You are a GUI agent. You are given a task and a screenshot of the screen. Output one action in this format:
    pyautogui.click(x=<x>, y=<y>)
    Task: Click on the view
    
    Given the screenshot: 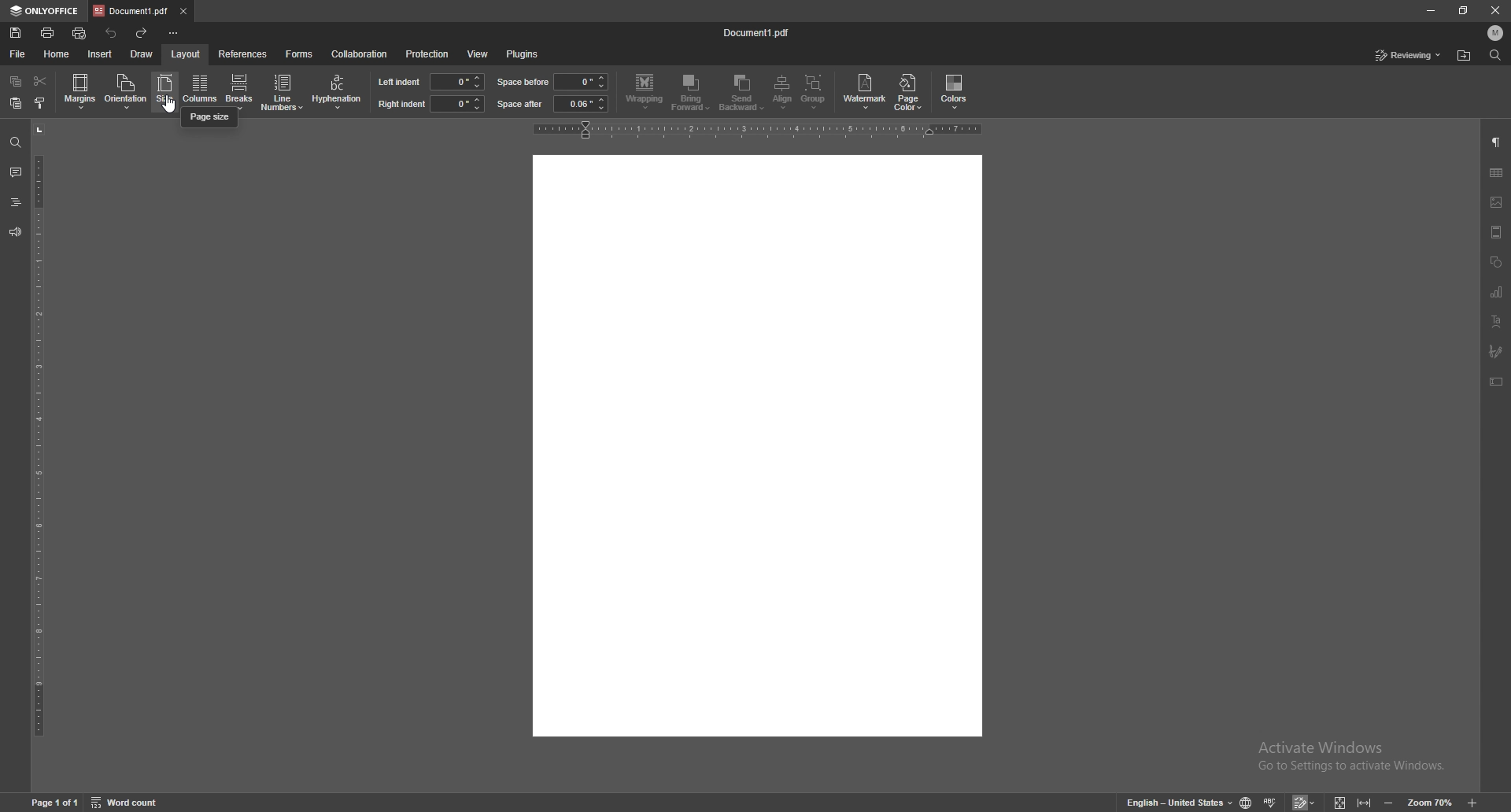 What is the action you would take?
    pyautogui.click(x=477, y=55)
    